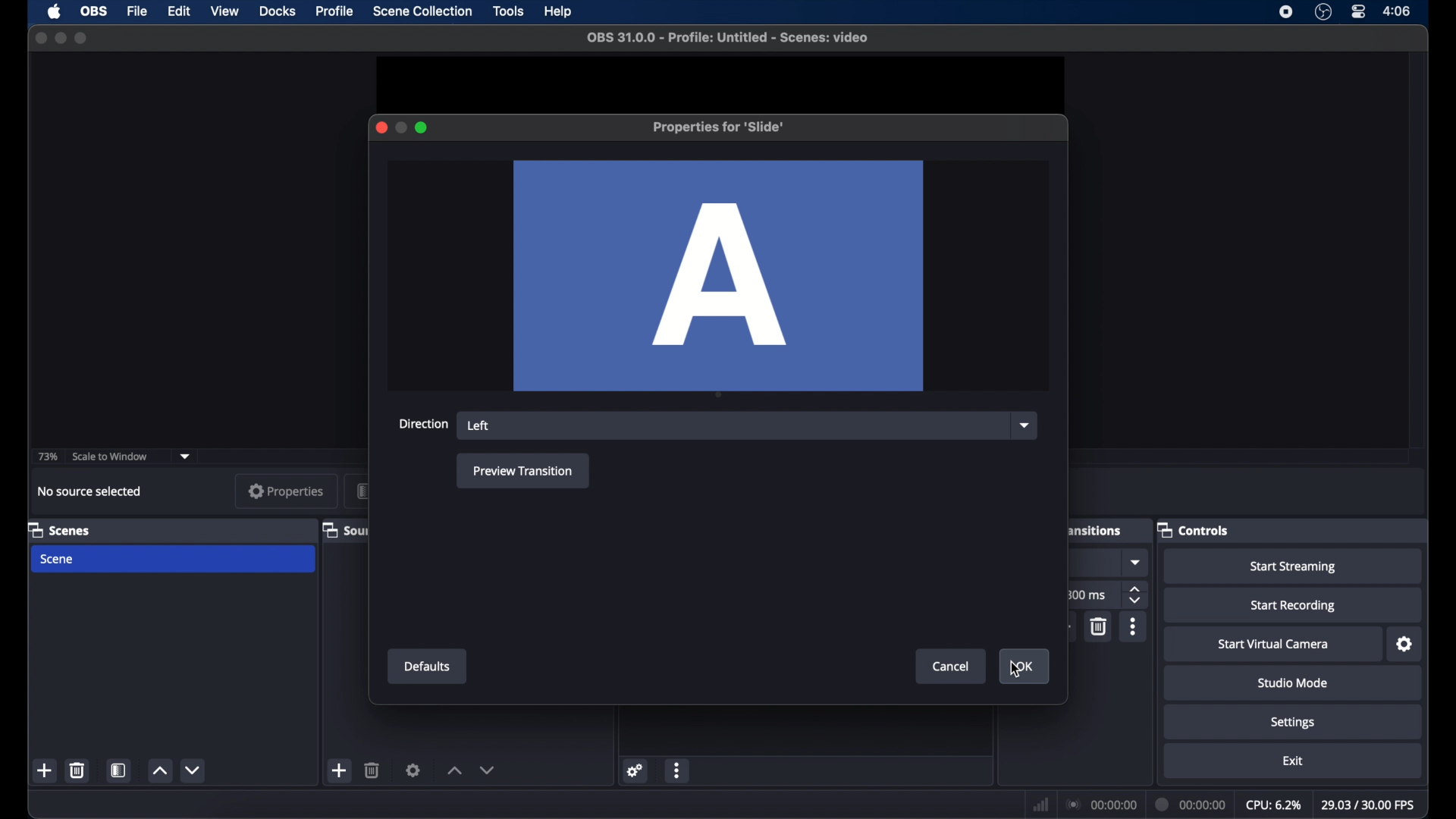 Image resolution: width=1456 pixels, height=819 pixels. I want to click on start virtual camera, so click(1273, 645).